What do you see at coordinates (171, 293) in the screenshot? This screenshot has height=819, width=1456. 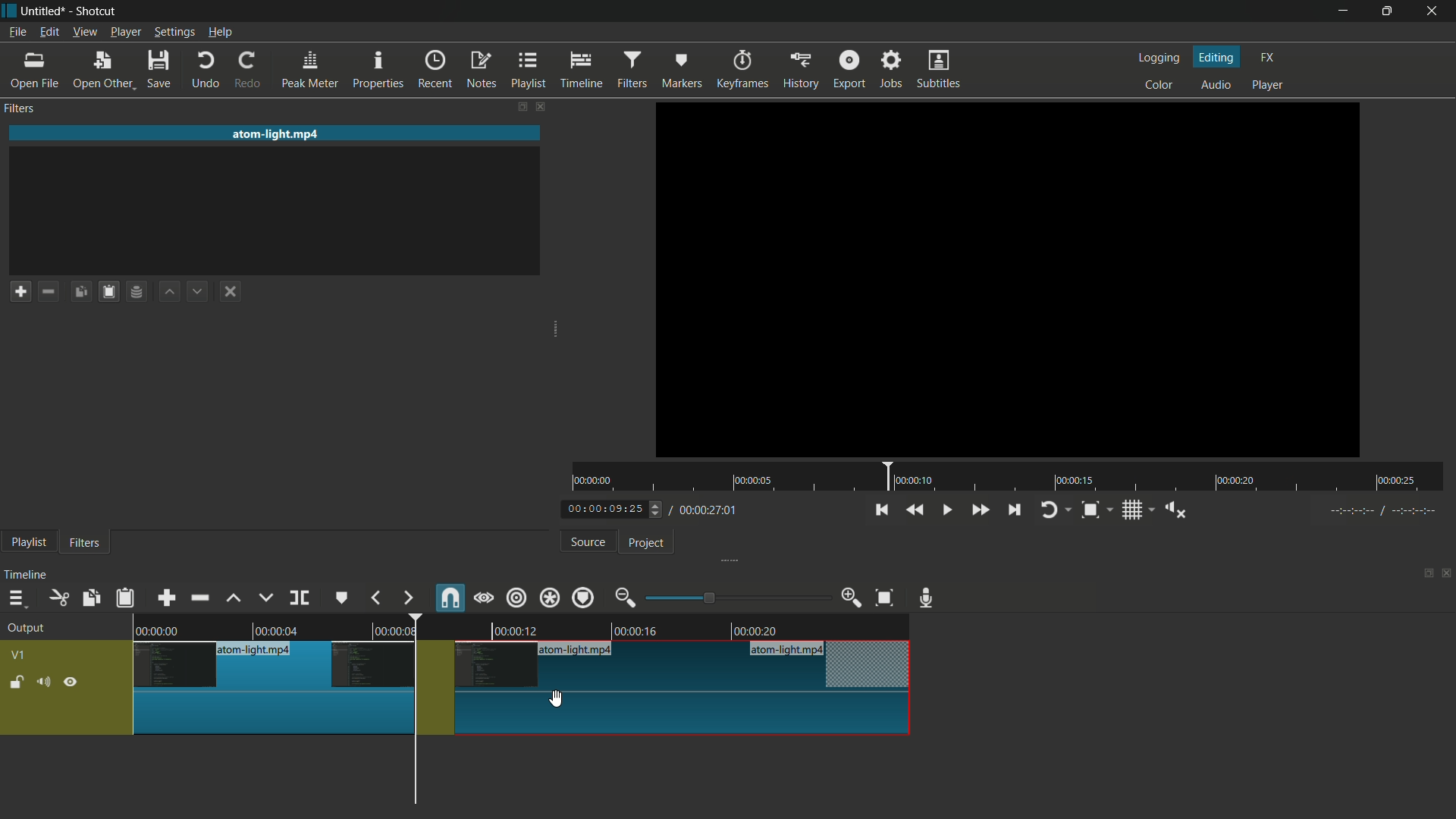 I see `move filter up` at bounding box center [171, 293].